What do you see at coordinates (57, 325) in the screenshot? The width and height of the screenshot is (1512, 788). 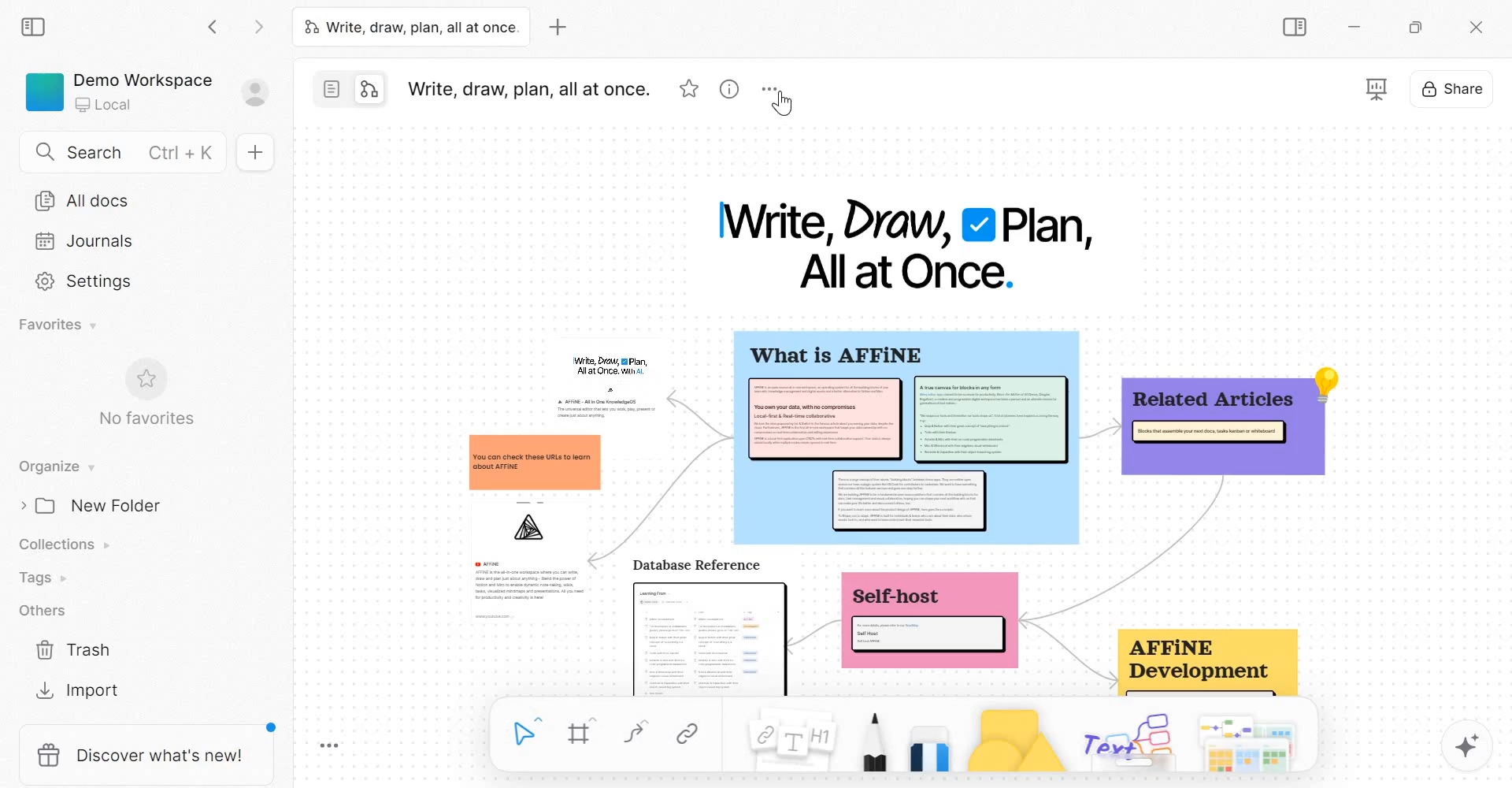 I see `Favorites` at bounding box center [57, 325].